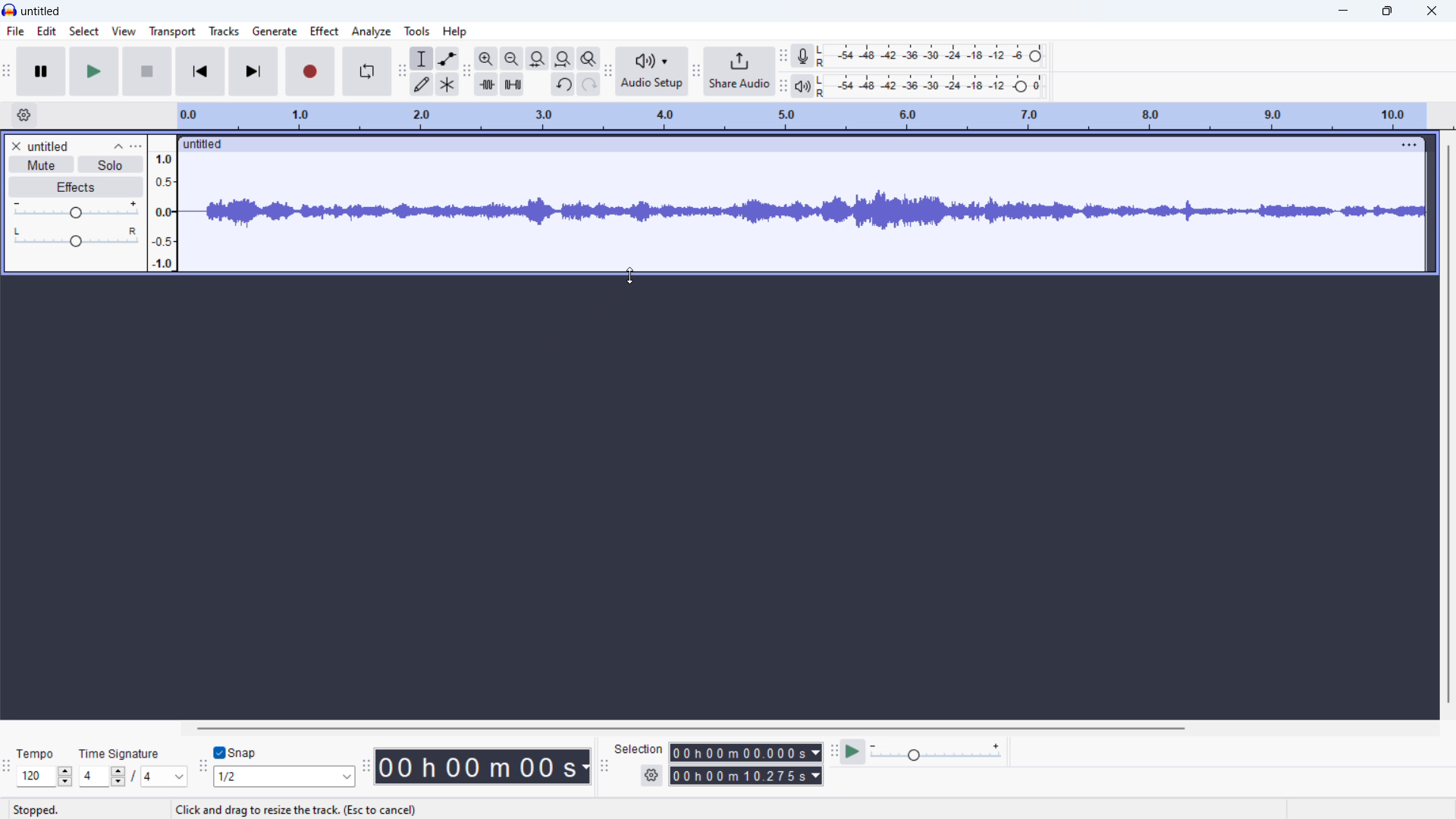  I want to click on minimize, so click(1340, 11).